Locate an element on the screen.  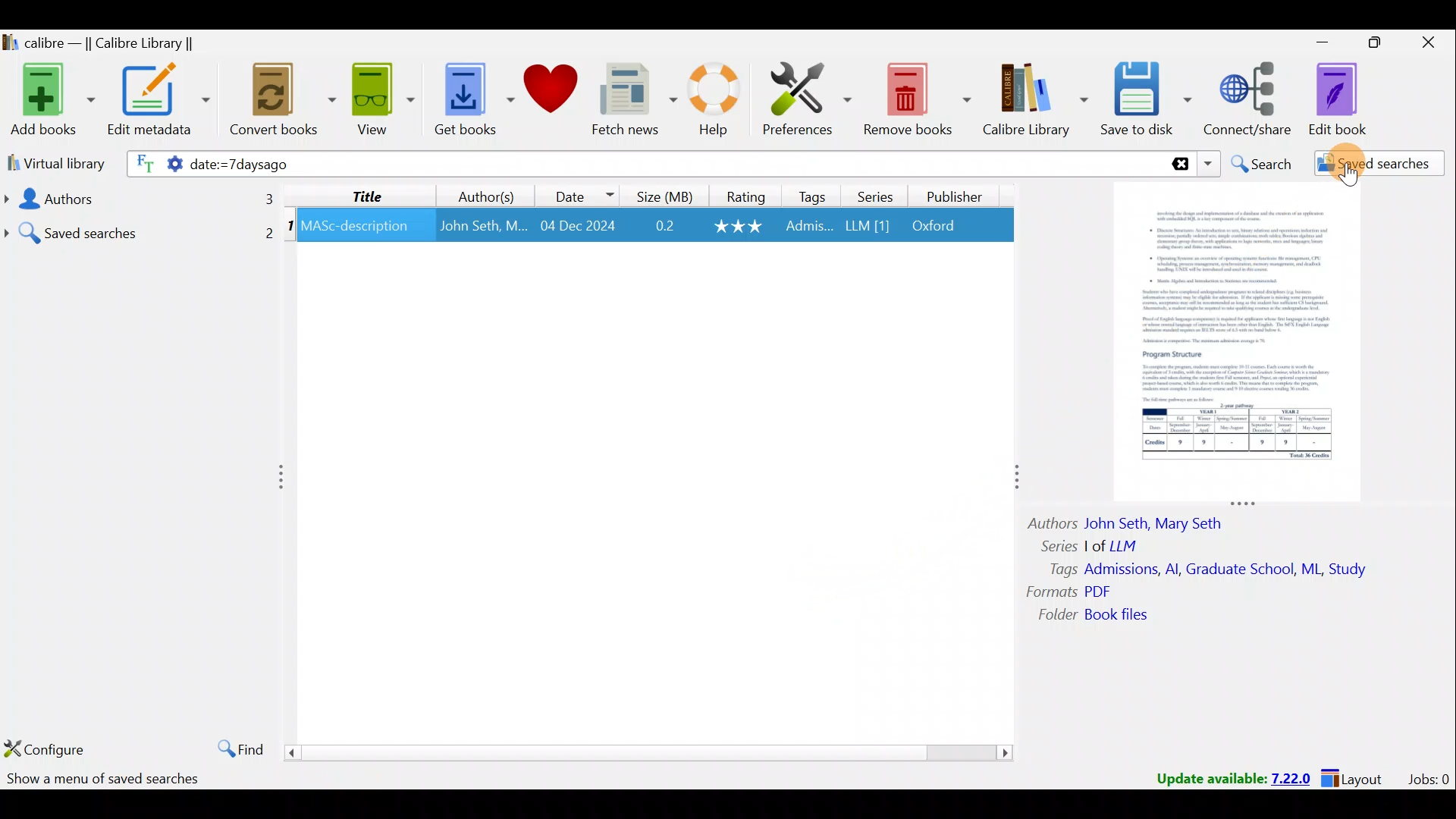
date:=7daysago is located at coordinates (379, 165).